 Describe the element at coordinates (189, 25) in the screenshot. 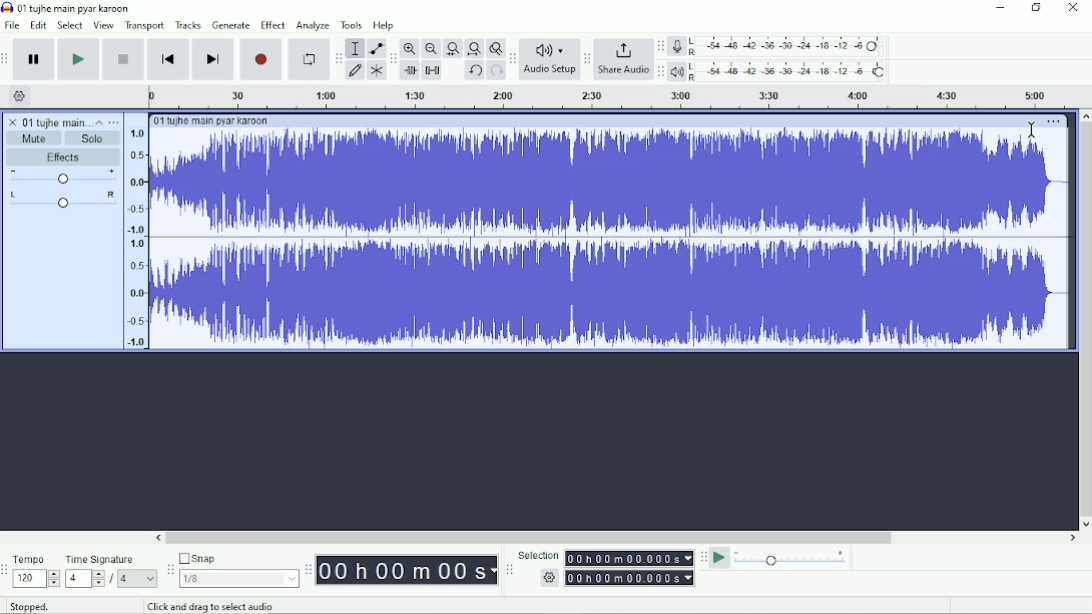

I see `Tracks` at that location.